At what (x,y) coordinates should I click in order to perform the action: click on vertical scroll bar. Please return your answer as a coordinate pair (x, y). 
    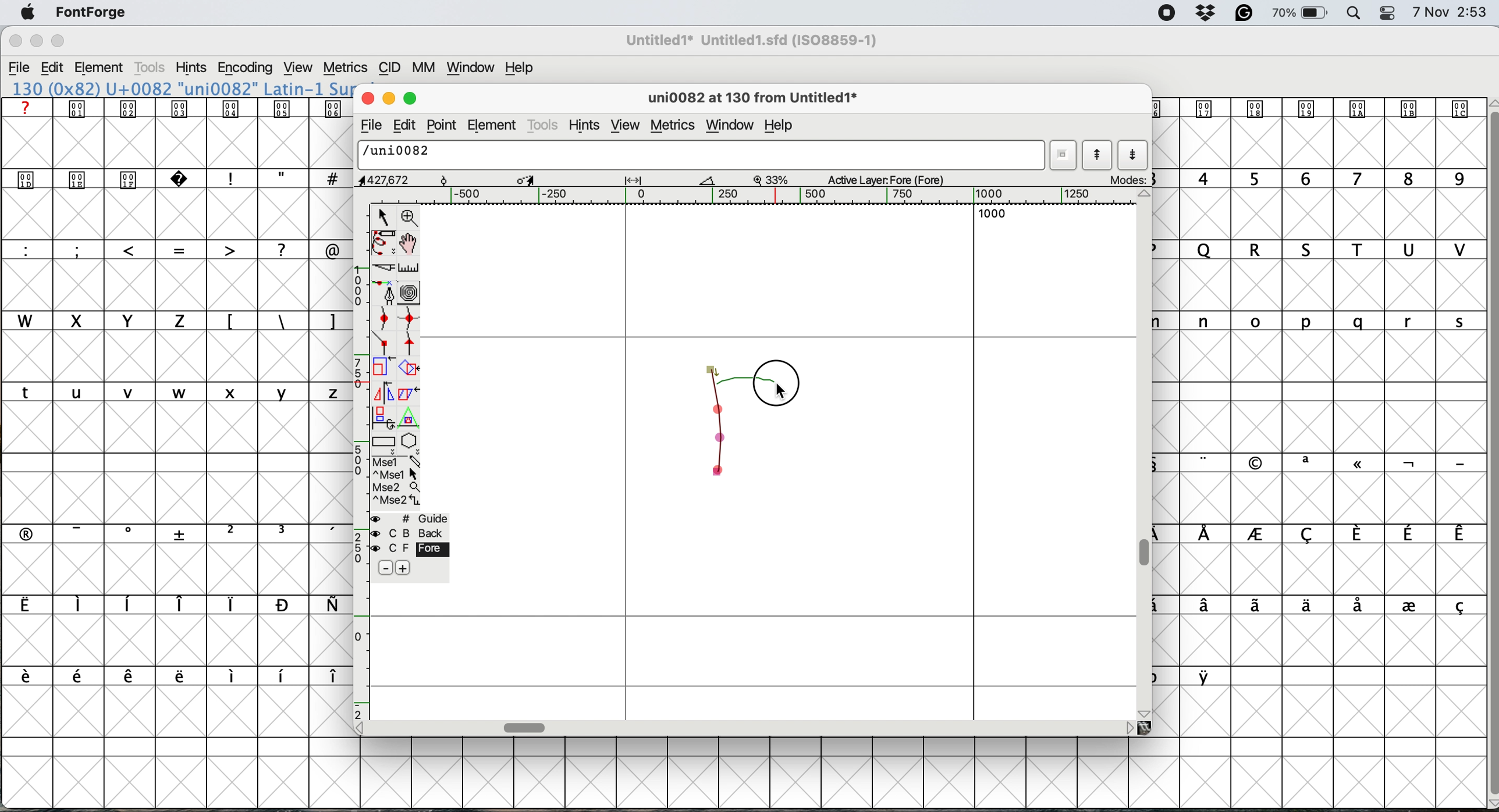
    Looking at the image, I should click on (1148, 552).